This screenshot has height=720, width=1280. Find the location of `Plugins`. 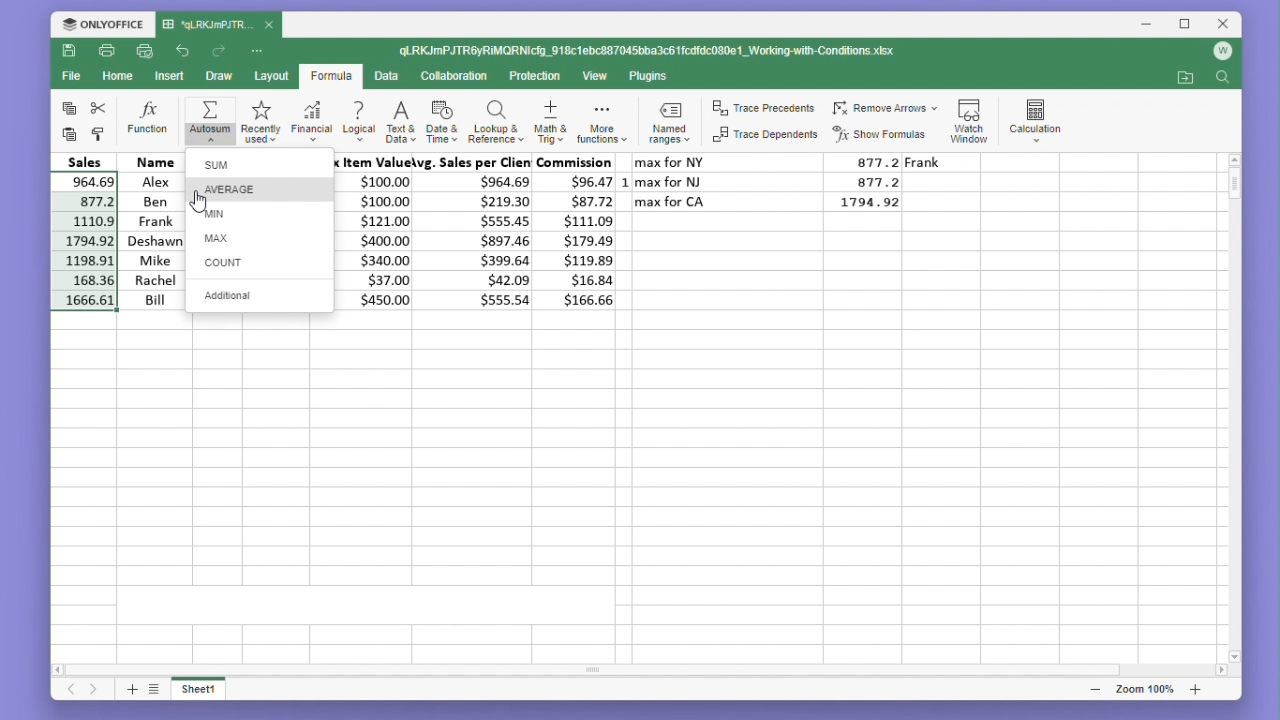

Plugins is located at coordinates (650, 77).